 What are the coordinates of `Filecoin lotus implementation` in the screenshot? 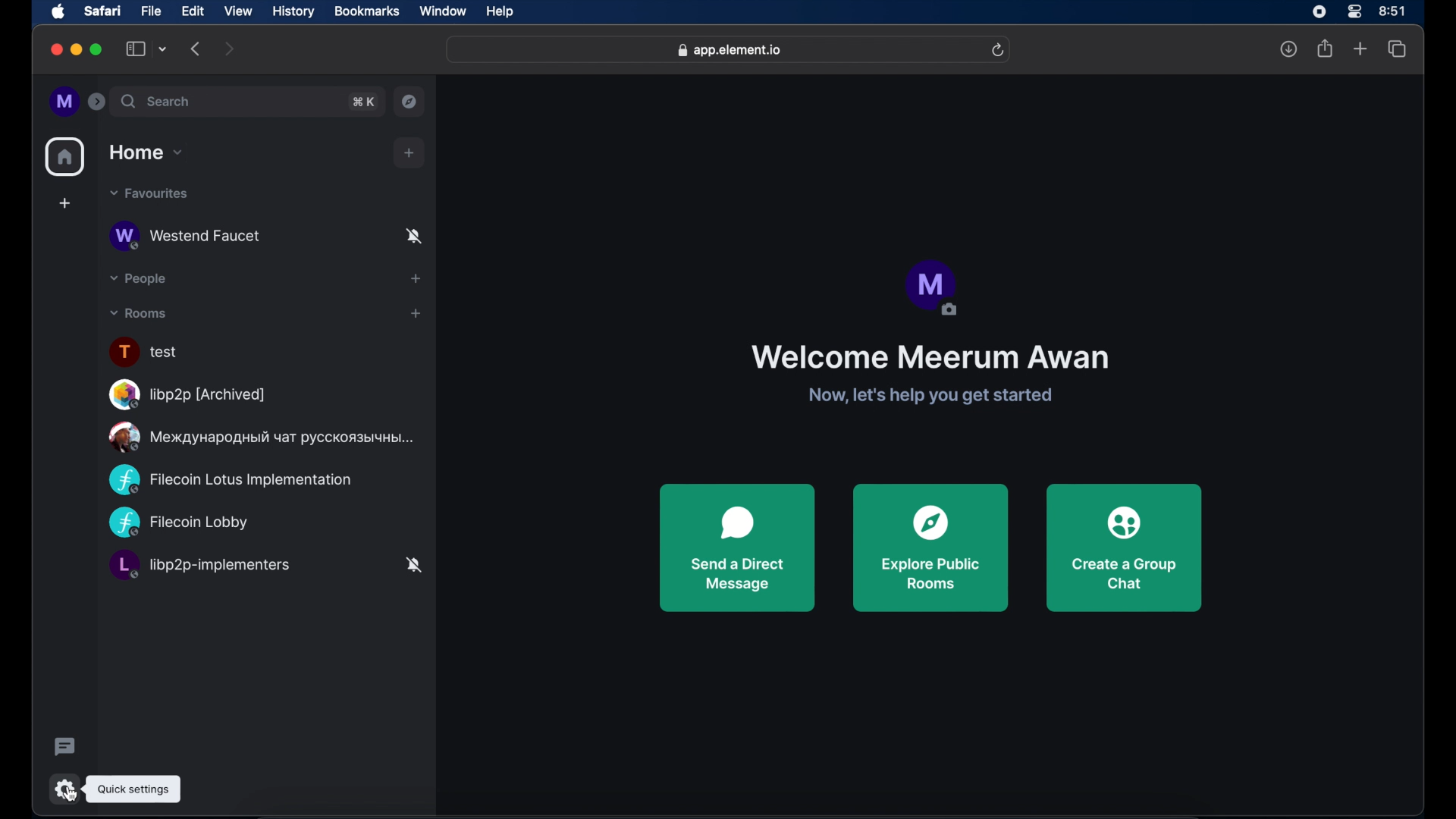 It's located at (243, 478).